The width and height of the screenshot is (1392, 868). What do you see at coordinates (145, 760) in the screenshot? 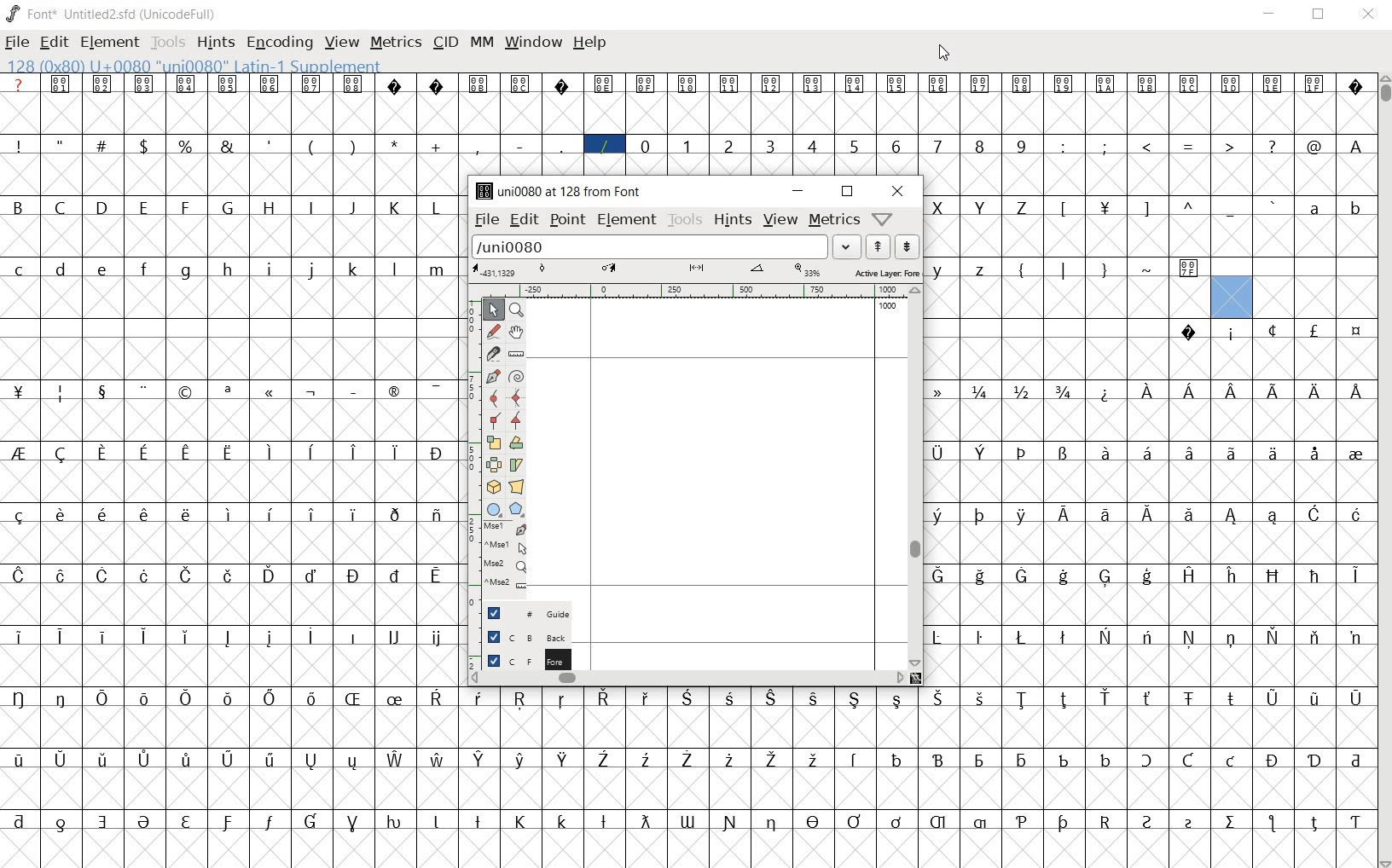
I see `glyph` at bounding box center [145, 760].